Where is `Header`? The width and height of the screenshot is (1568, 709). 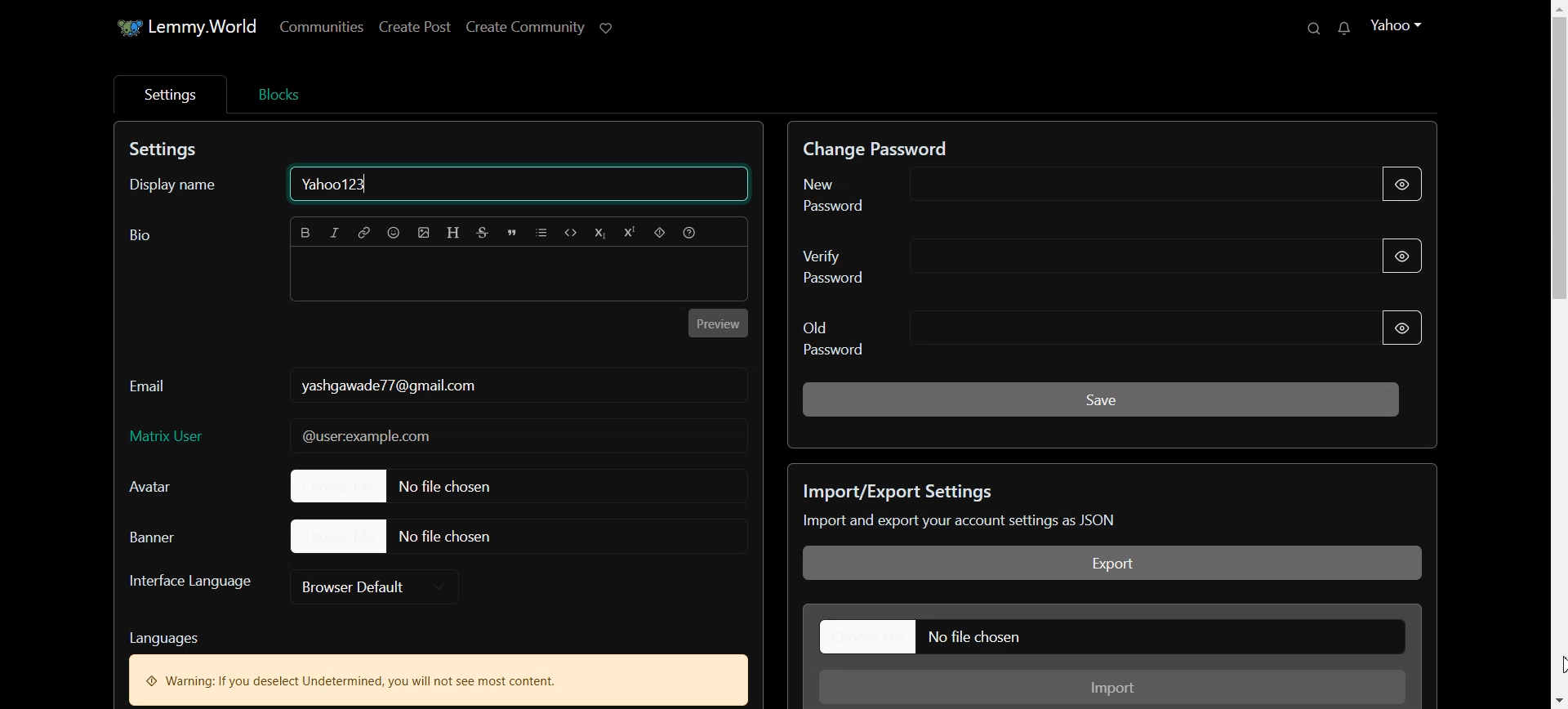 Header is located at coordinates (455, 233).